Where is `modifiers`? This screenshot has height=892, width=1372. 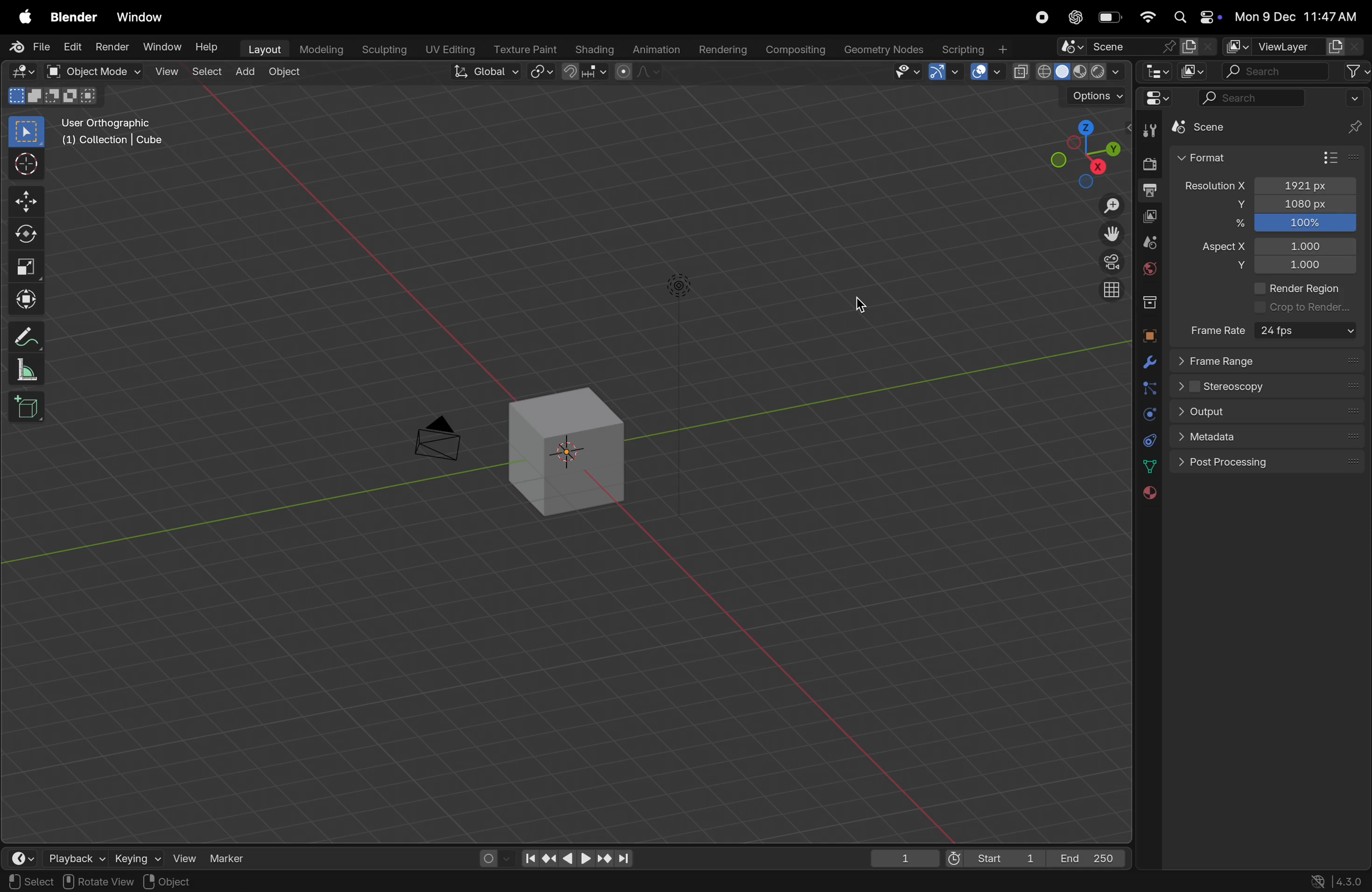
modifiers is located at coordinates (1148, 361).